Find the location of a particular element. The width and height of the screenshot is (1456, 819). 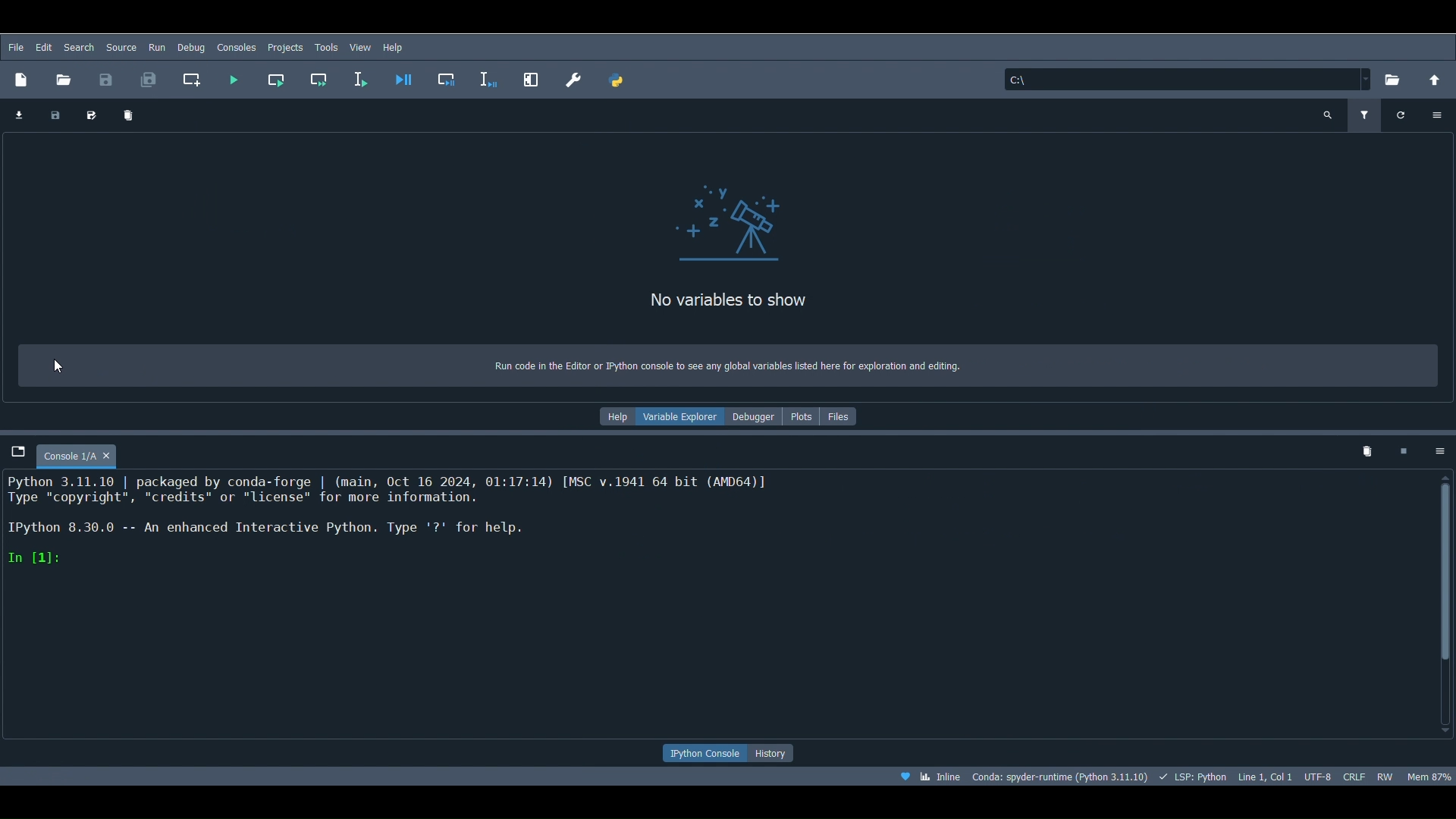

Tools is located at coordinates (326, 47).